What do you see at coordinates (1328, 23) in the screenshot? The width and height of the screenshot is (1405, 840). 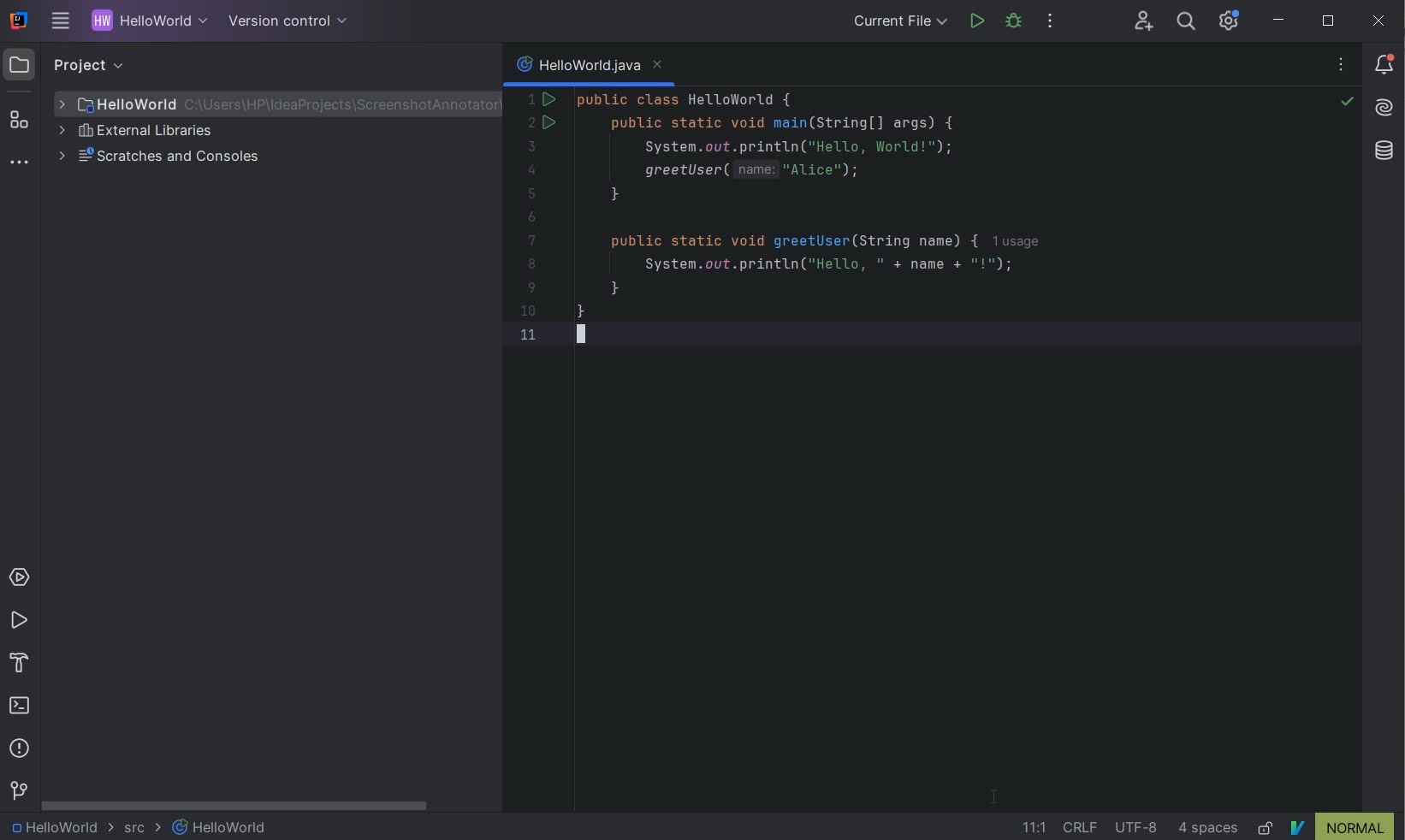 I see `RESTORE DOWN` at bounding box center [1328, 23].